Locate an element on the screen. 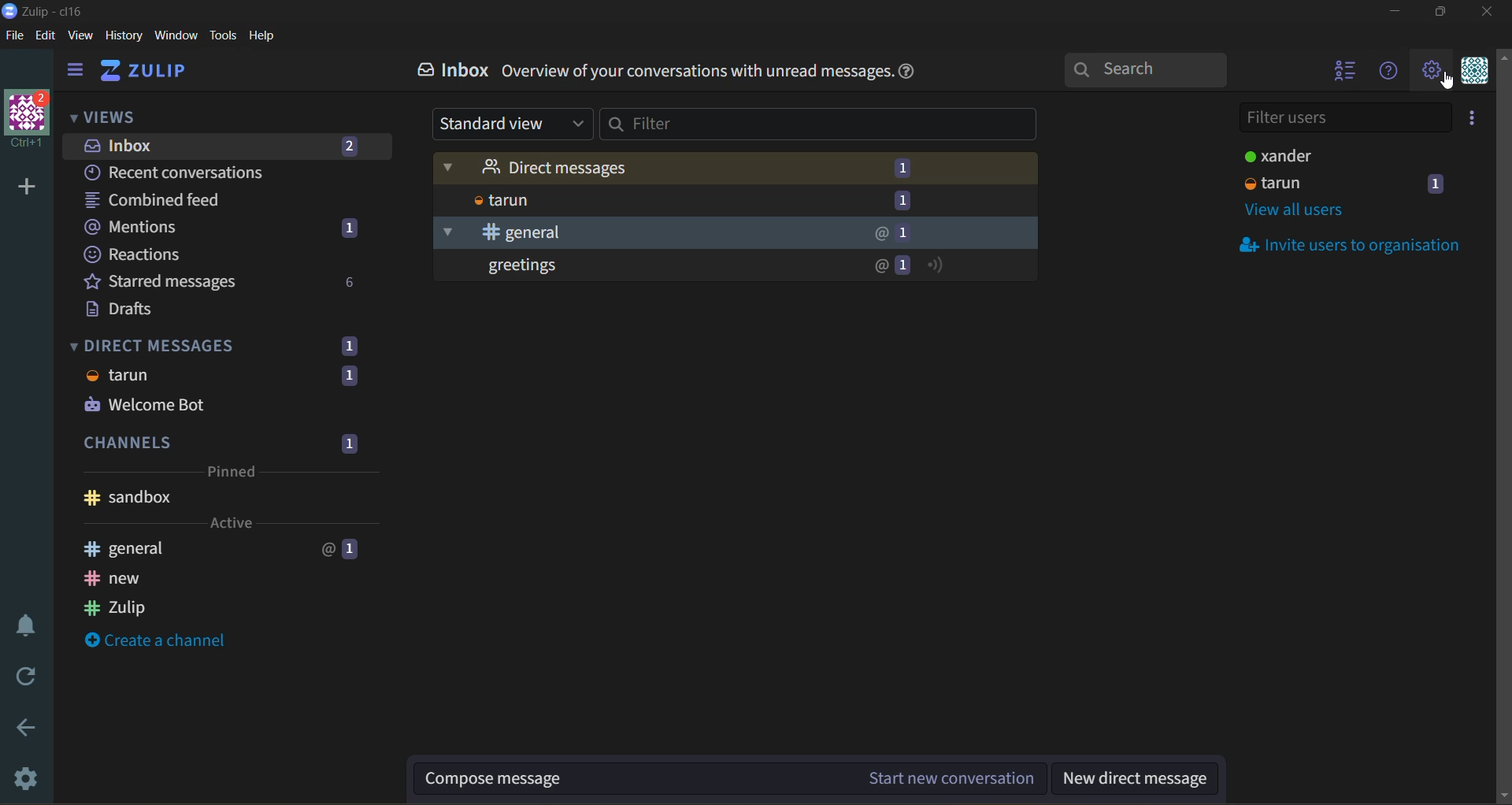  hide side bar is located at coordinates (76, 72).